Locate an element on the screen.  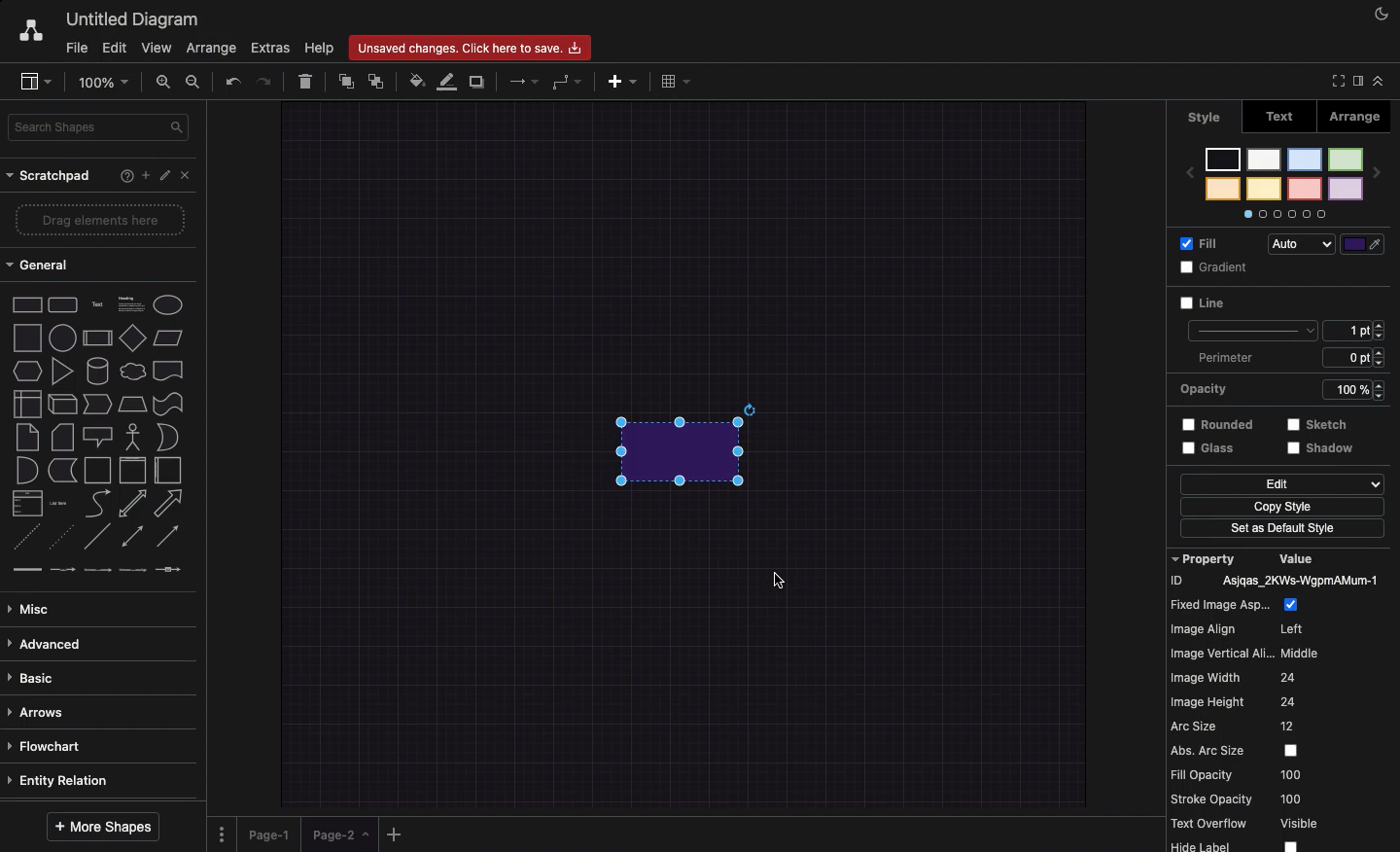
Entity relation is located at coordinates (62, 778).